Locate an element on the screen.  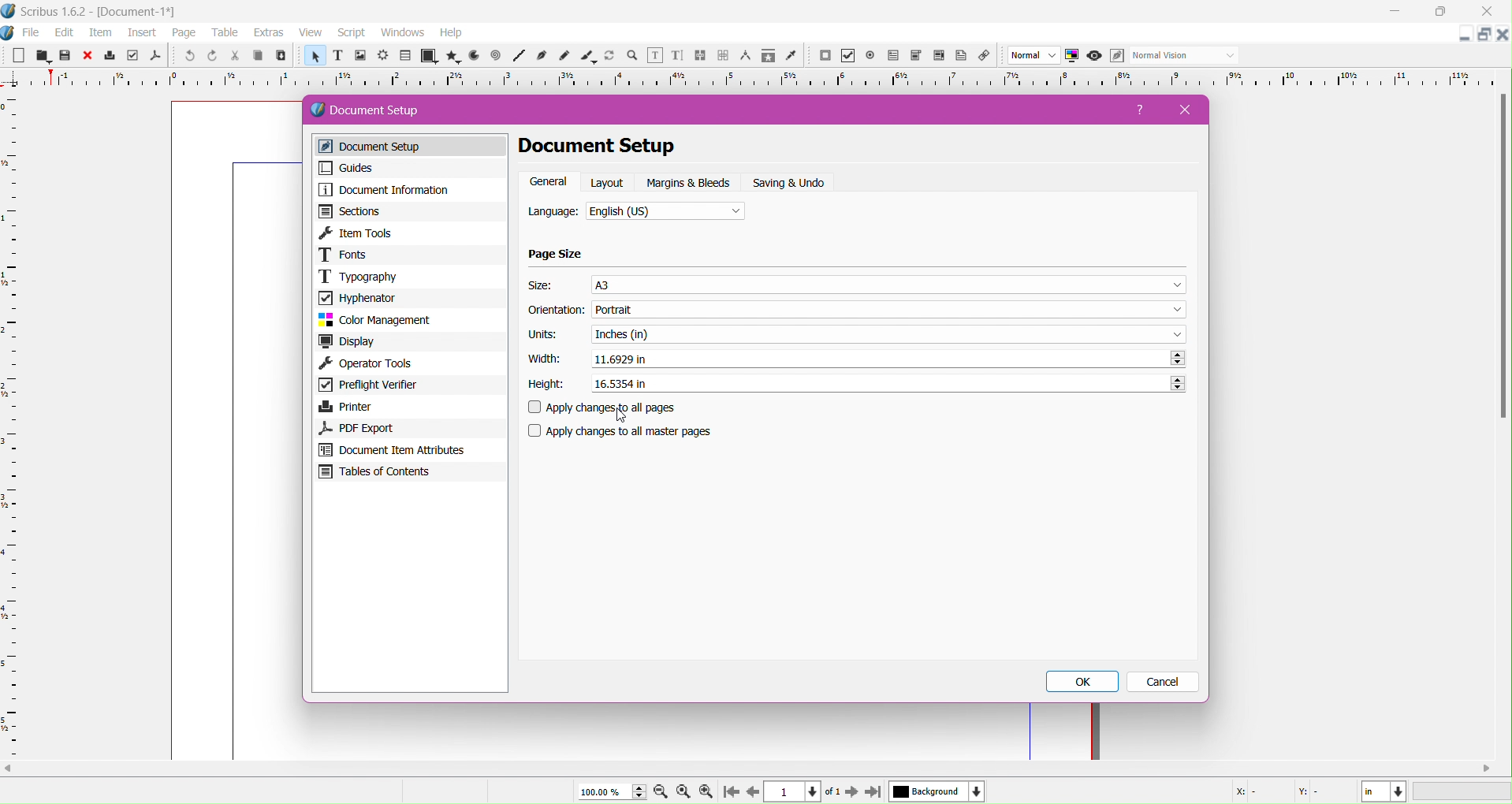
Document Information is located at coordinates (408, 190).